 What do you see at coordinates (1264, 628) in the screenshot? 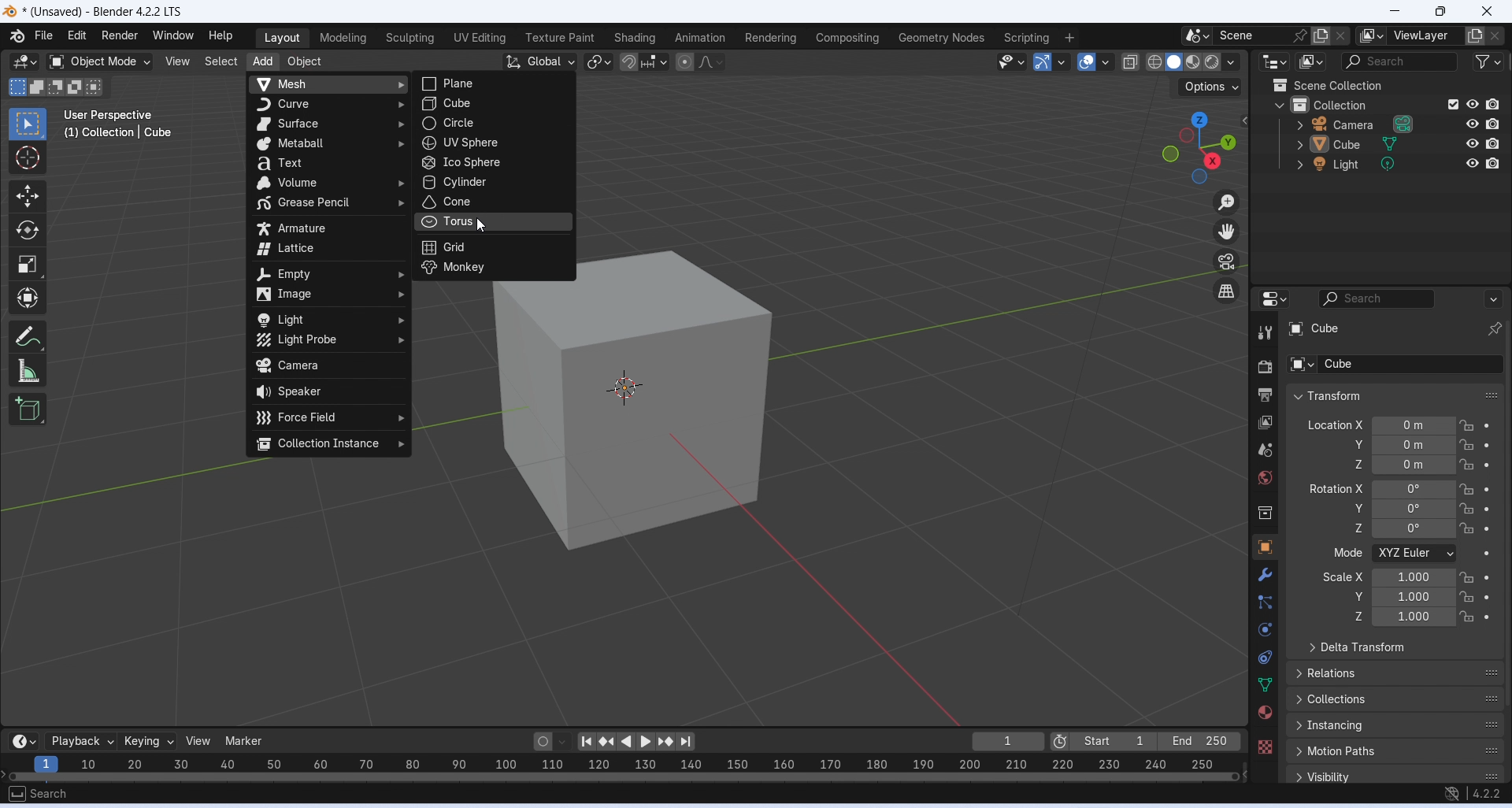
I see `Physics` at bounding box center [1264, 628].